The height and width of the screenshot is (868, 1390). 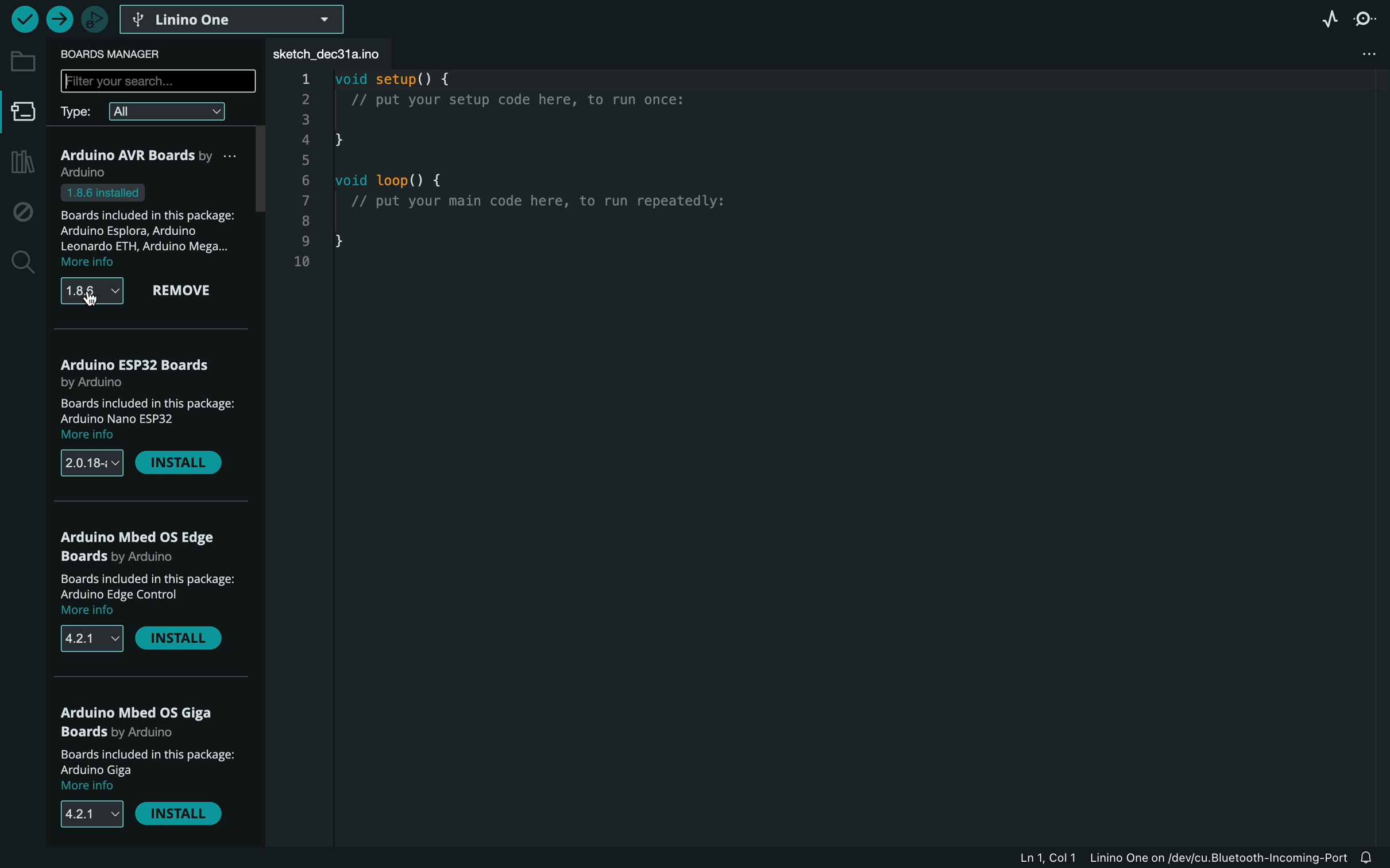 What do you see at coordinates (1374, 858) in the screenshot?
I see `notification` at bounding box center [1374, 858].